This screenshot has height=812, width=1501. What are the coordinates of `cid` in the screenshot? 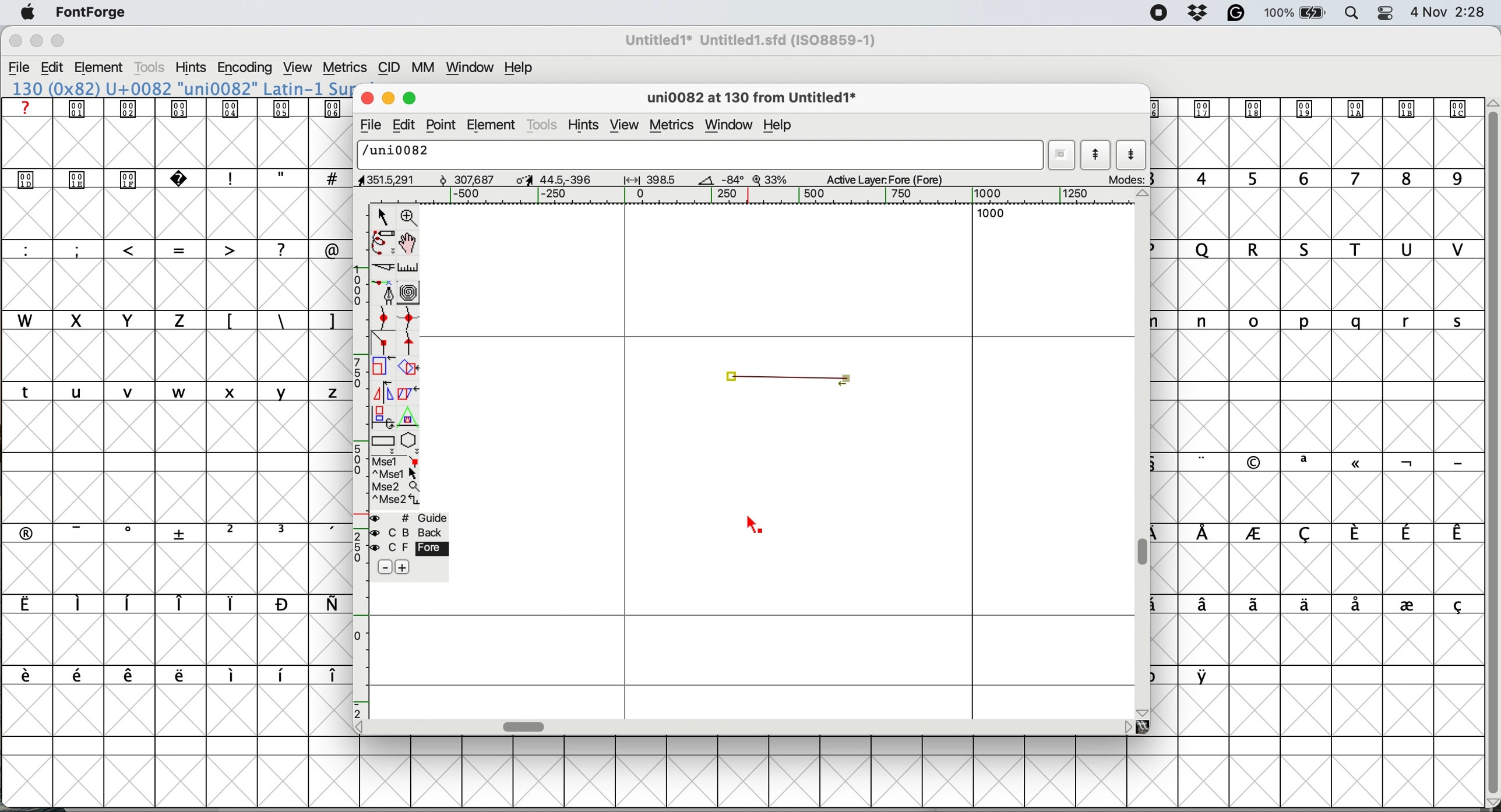 It's located at (389, 68).